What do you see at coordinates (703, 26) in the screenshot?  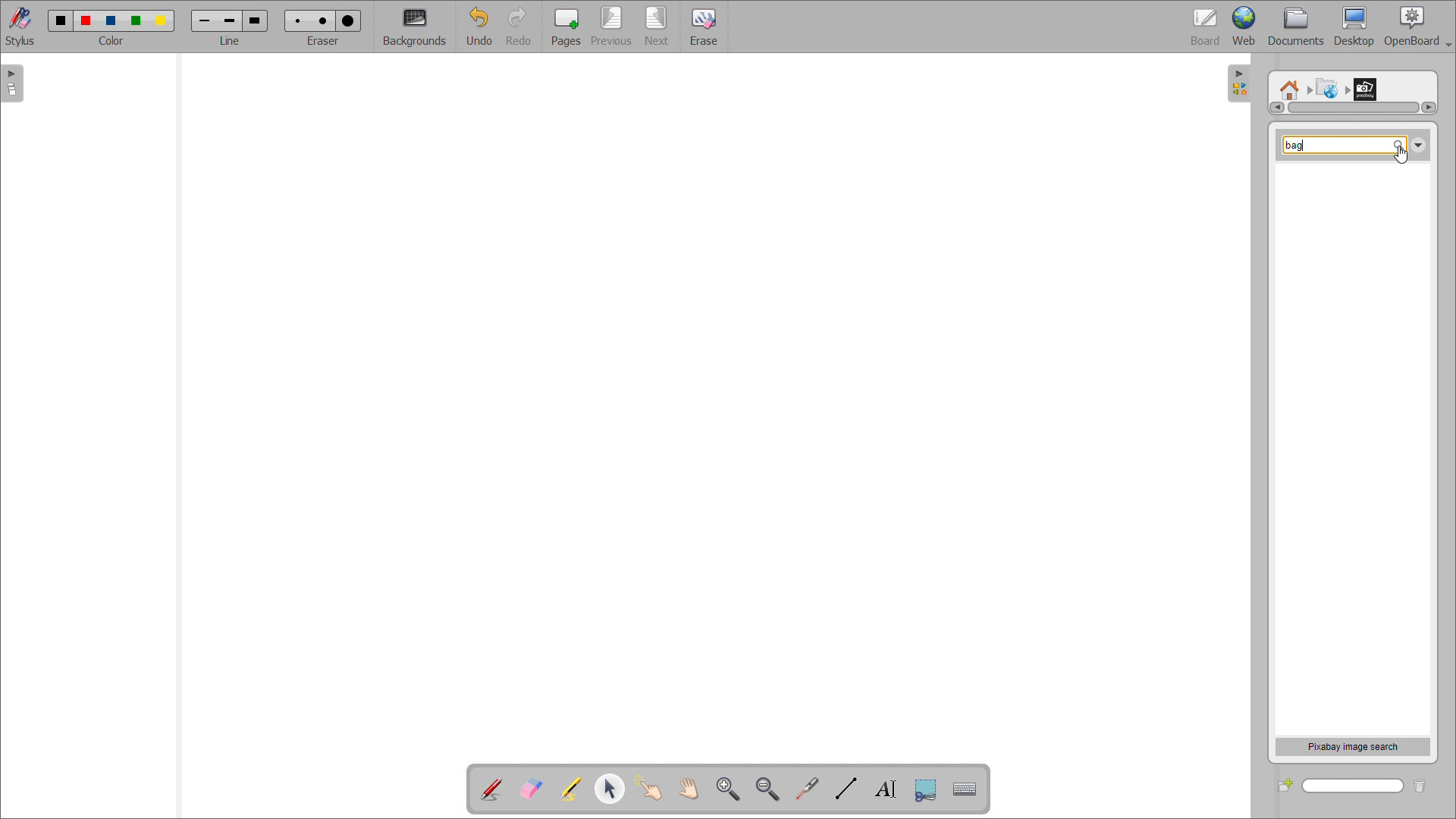 I see `erase` at bounding box center [703, 26].